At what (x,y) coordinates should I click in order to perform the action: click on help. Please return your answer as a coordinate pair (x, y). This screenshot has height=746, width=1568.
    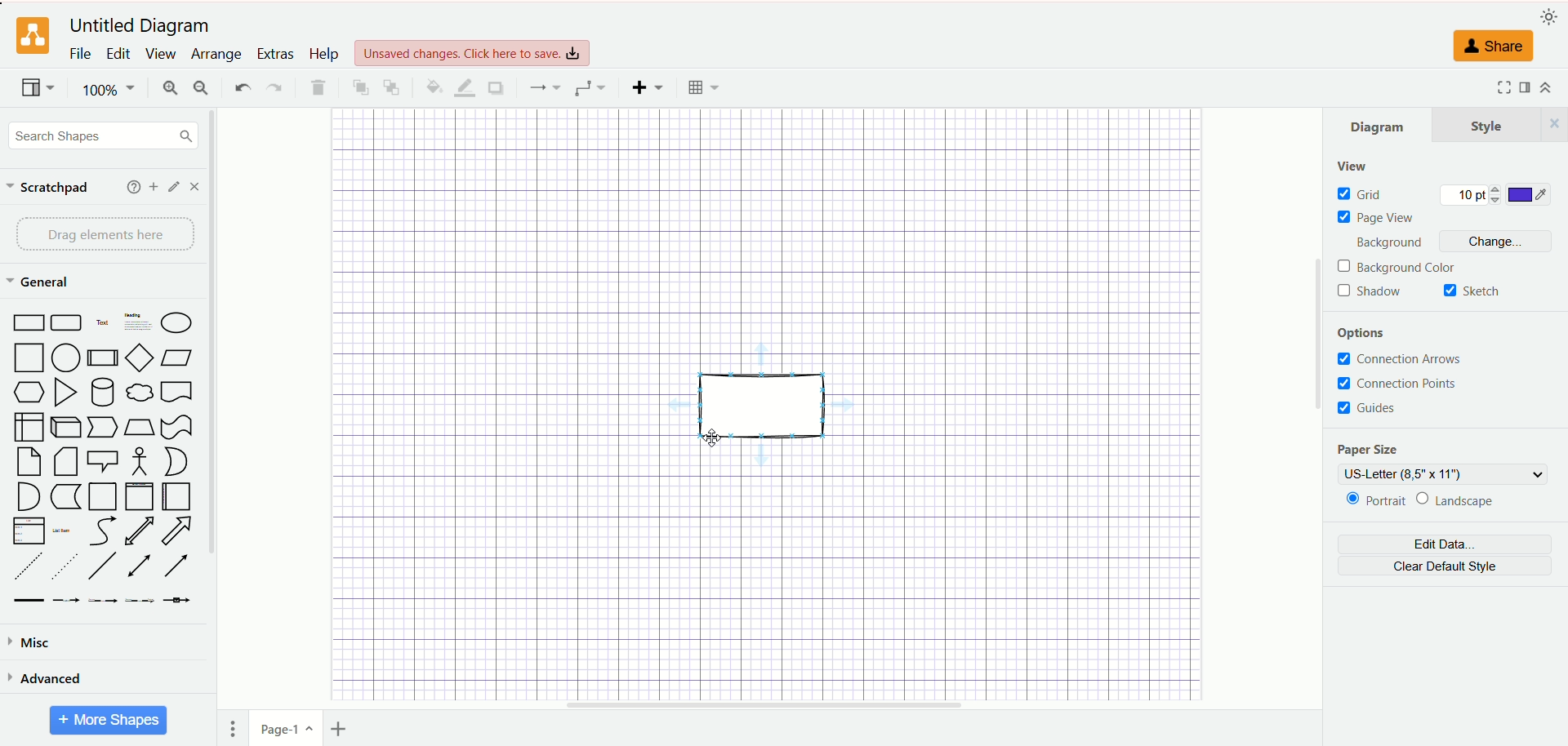
    Looking at the image, I should click on (323, 54).